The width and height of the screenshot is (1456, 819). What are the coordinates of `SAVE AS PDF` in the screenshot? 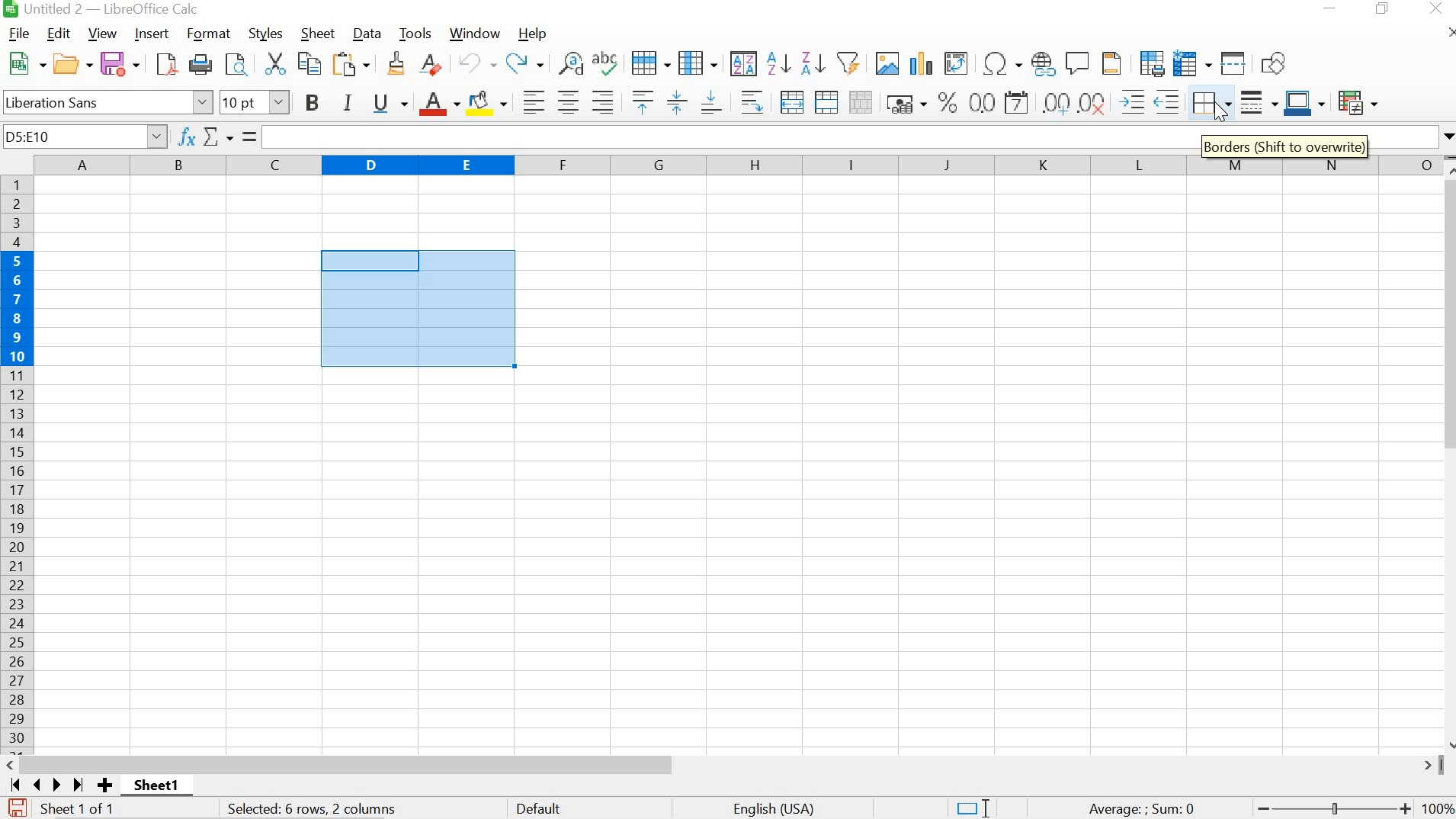 It's located at (168, 63).